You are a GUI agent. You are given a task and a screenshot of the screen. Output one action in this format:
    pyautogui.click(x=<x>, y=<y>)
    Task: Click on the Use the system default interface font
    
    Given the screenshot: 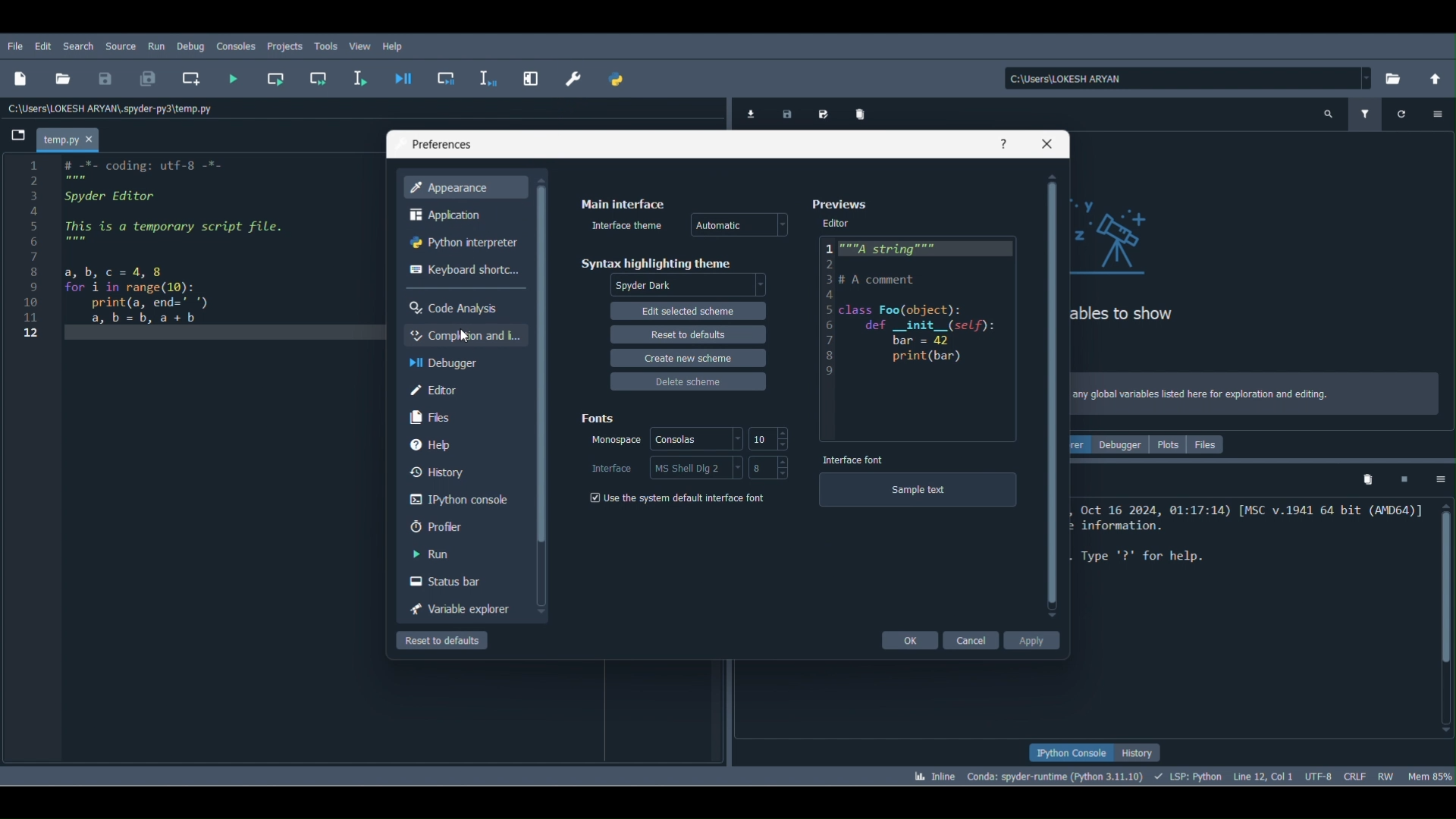 What is the action you would take?
    pyautogui.click(x=679, y=499)
    